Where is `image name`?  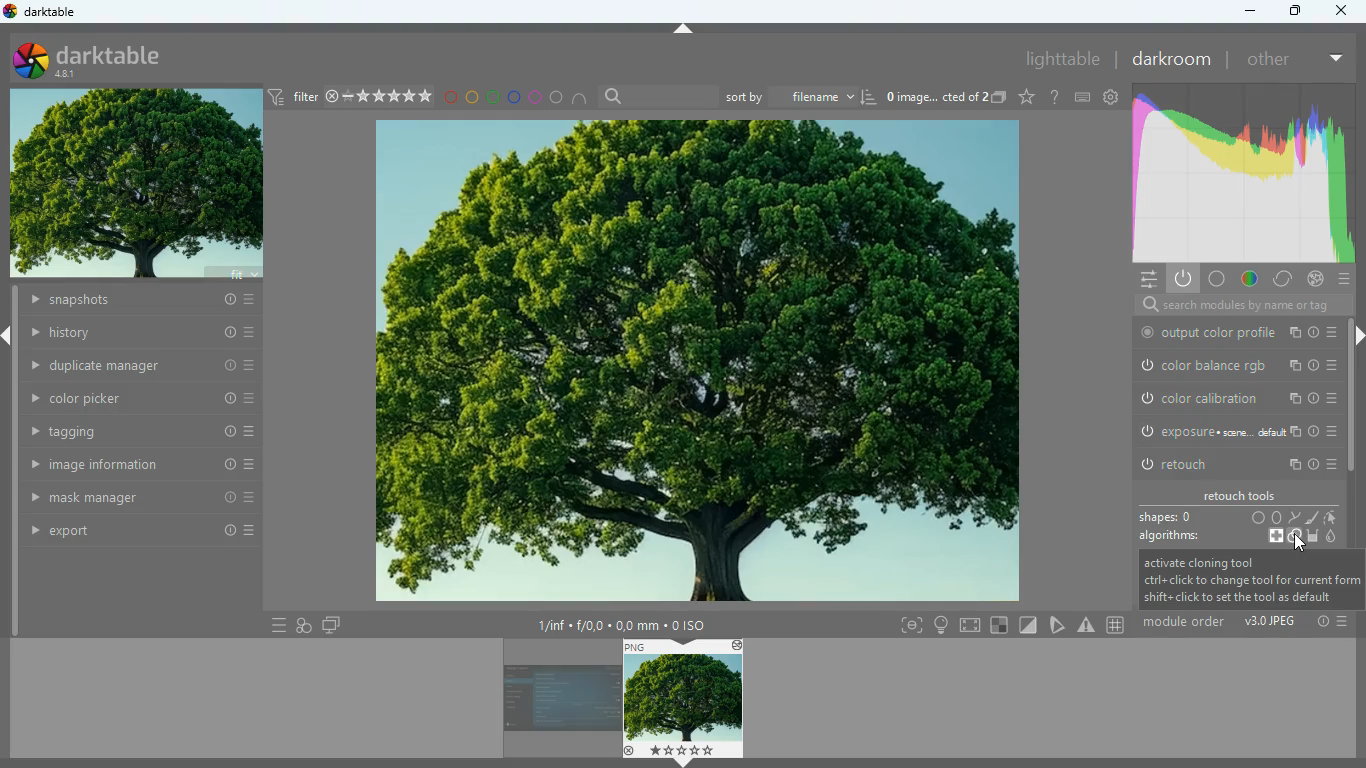 image name is located at coordinates (931, 97).